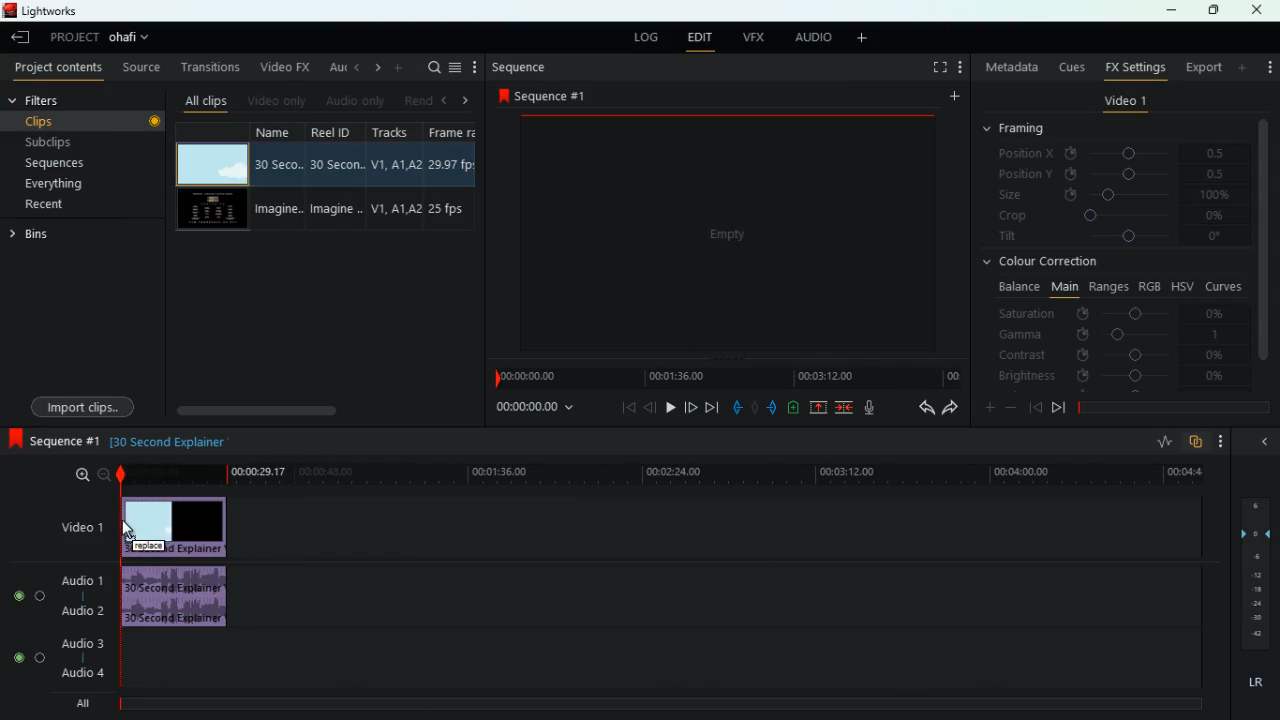 Image resolution: width=1280 pixels, height=720 pixels. Describe the element at coordinates (1114, 217) in the screenshot. I see `crop` at that location.